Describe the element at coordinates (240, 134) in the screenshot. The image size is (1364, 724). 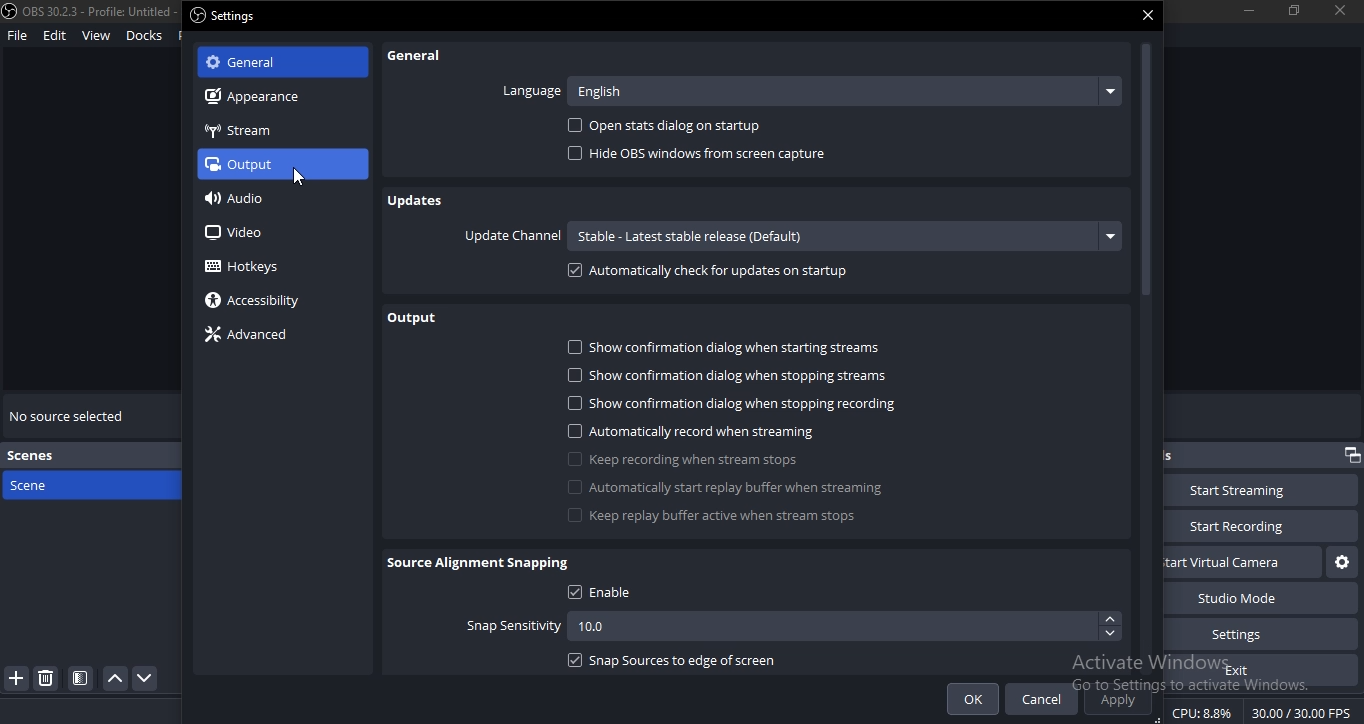
I see `stream` at that location.